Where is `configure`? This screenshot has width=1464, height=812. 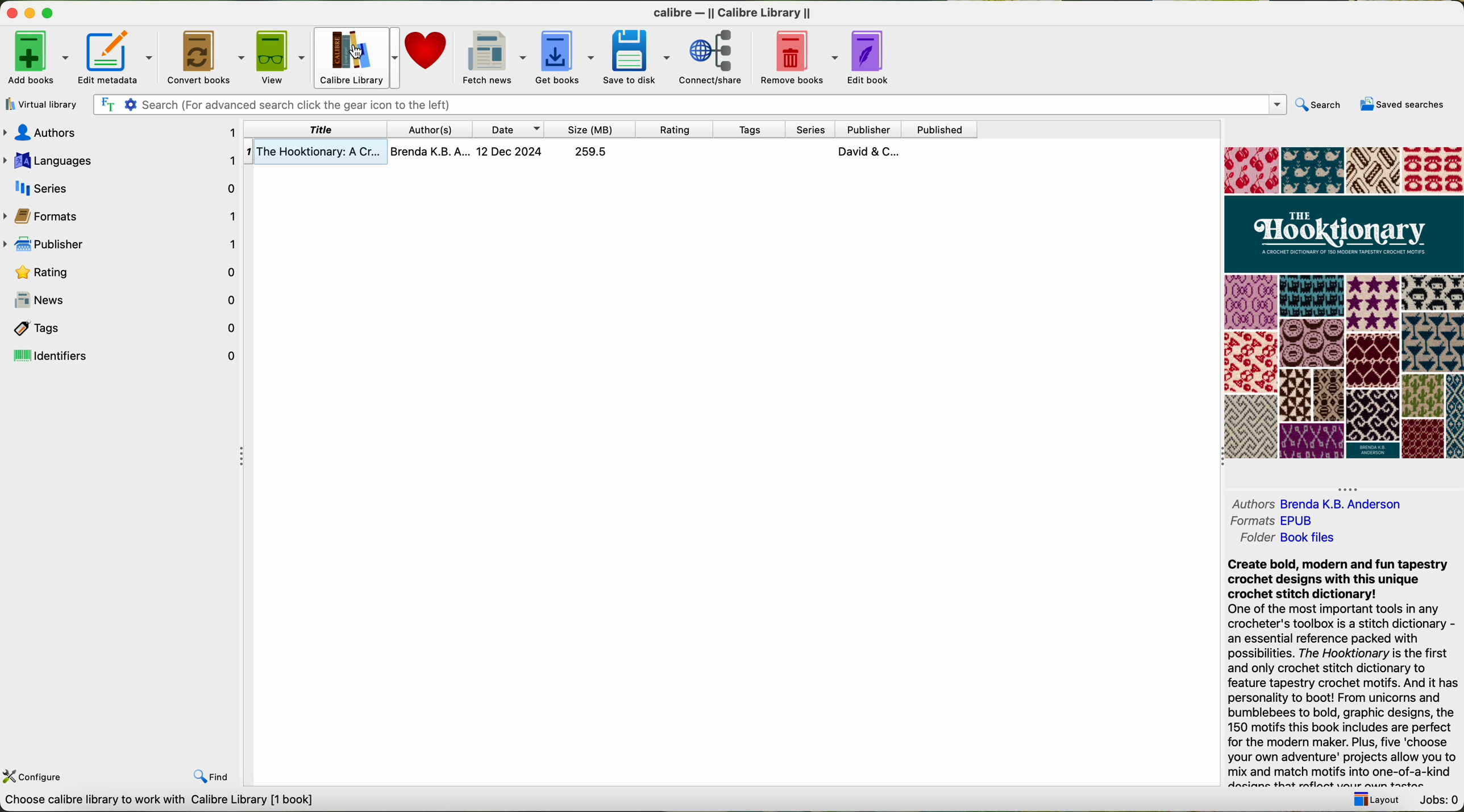
configure is located at coordinates (36, 776).